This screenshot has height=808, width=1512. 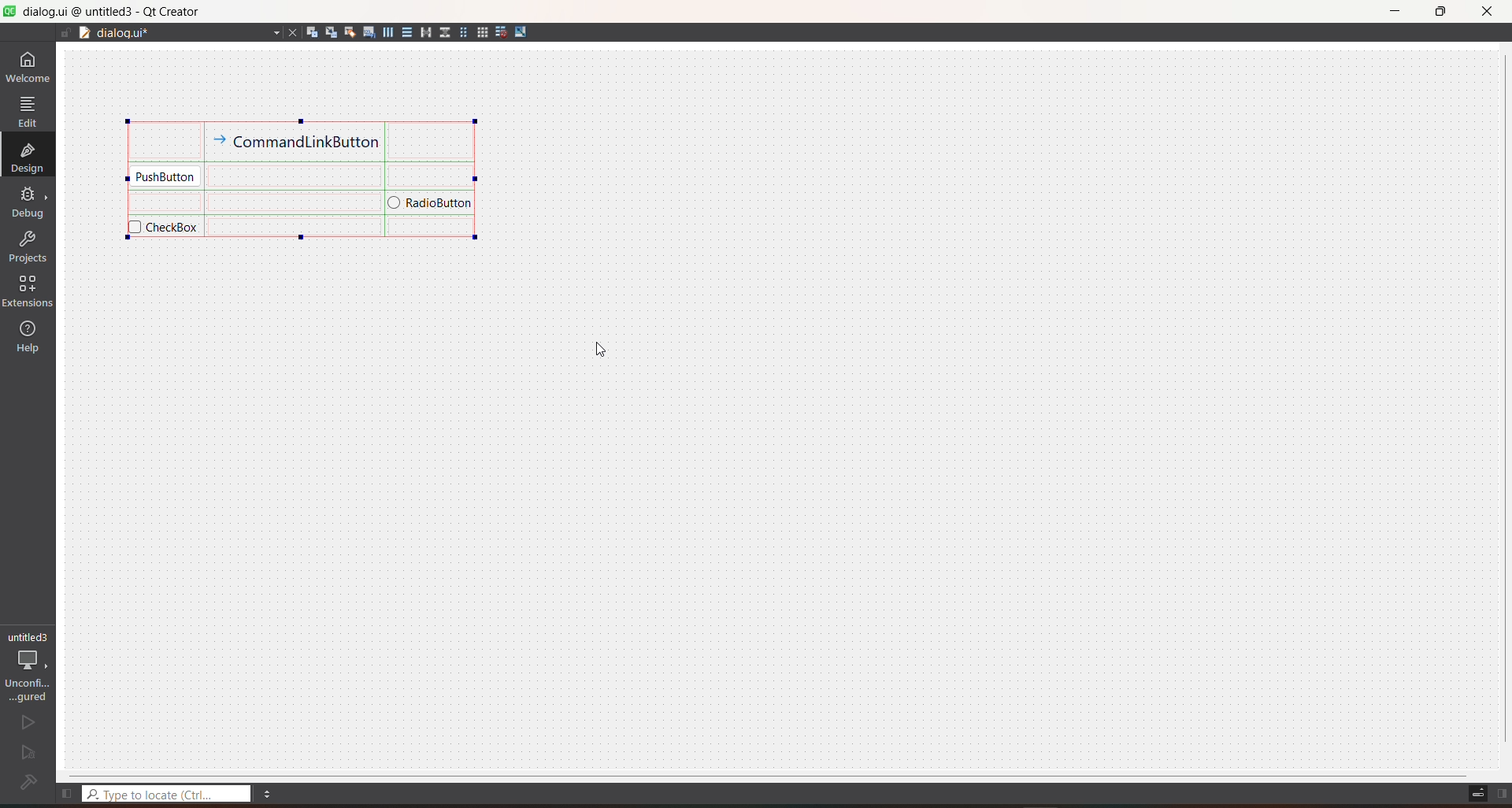 What do you see at coordinates (312, 32) in the screenshot?
I see `edit widgets` at bounding box center [312, 32].